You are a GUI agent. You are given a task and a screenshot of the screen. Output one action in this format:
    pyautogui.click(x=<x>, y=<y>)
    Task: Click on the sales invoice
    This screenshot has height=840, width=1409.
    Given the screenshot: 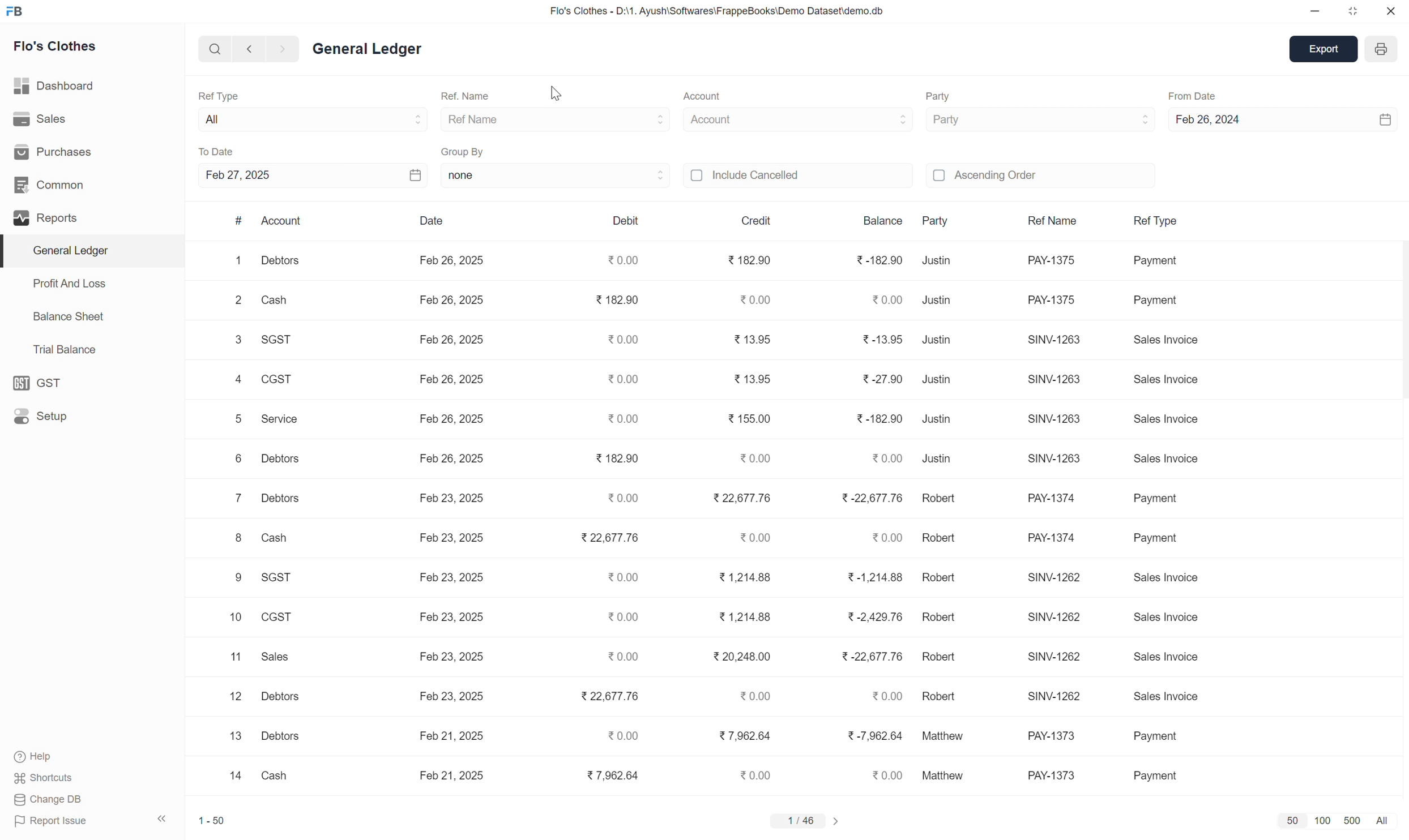 What is the action you would take?
    pyautogui.click(x=1165, y=618)
    